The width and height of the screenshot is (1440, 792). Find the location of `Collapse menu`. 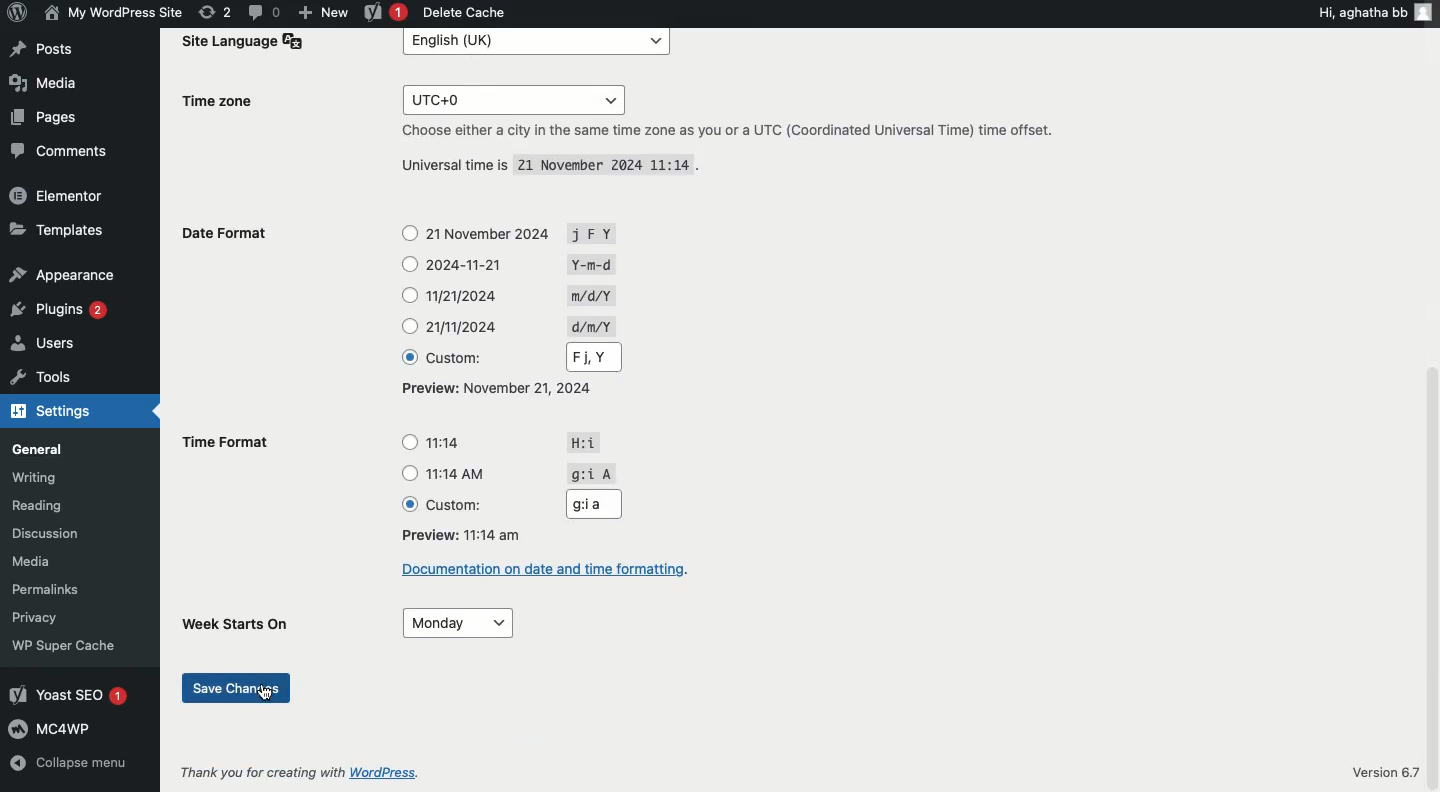

Collapse menu is located at coordinates (74, 764).